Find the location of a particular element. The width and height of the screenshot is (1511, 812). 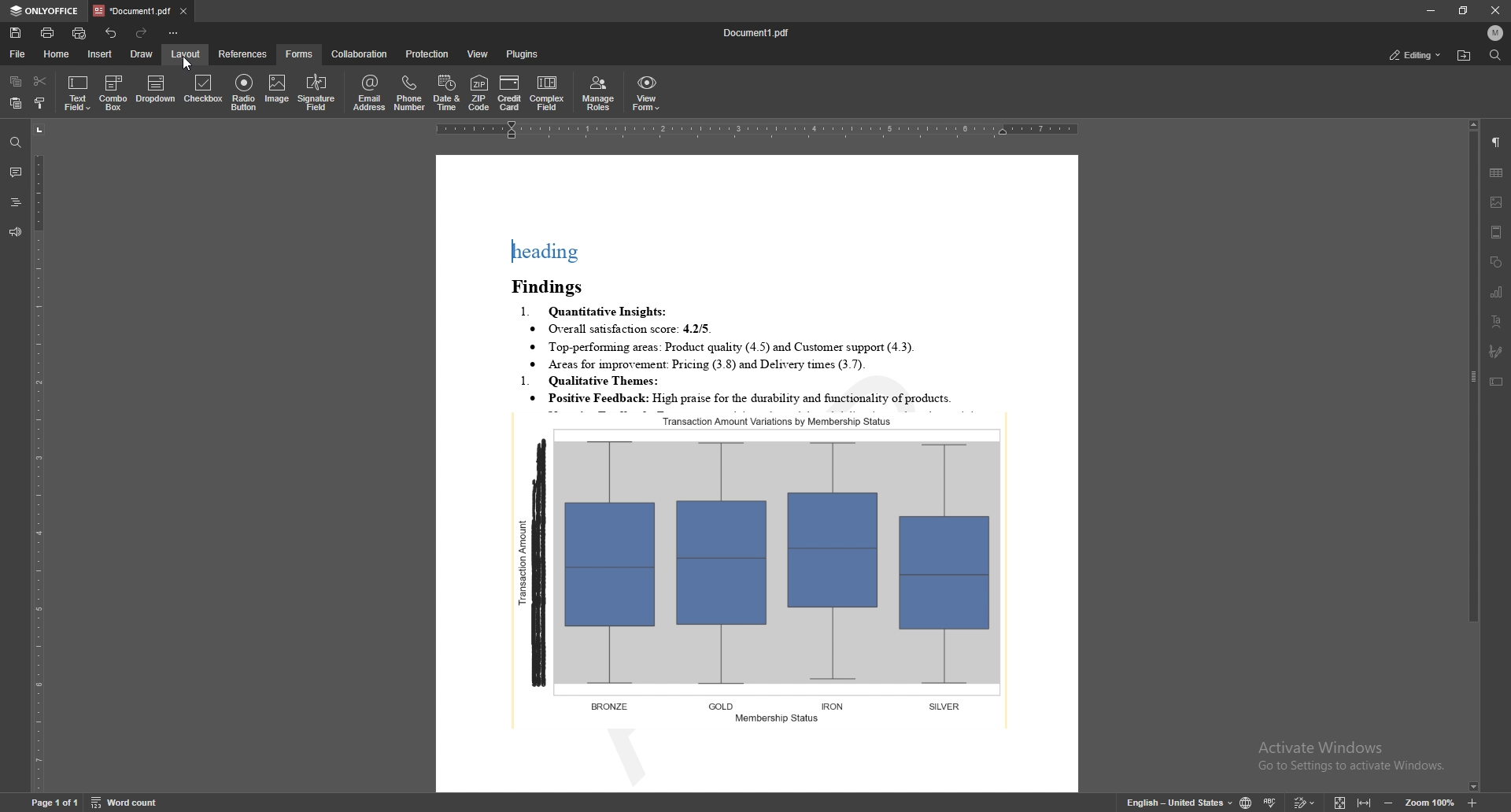

view is located at coordinates (478, 54).